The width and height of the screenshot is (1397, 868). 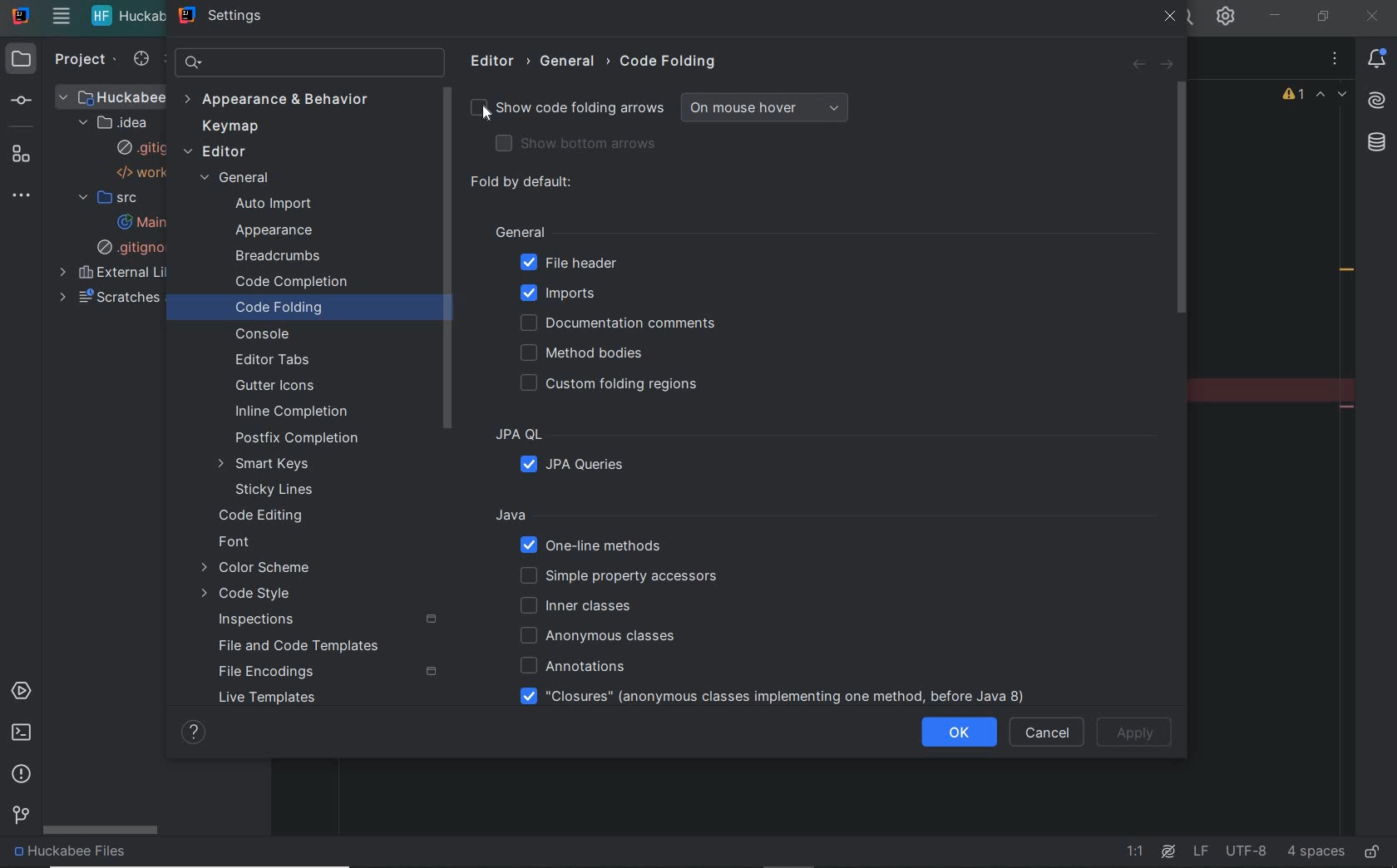 I want to click on keymap, so click(x=230, y=128).